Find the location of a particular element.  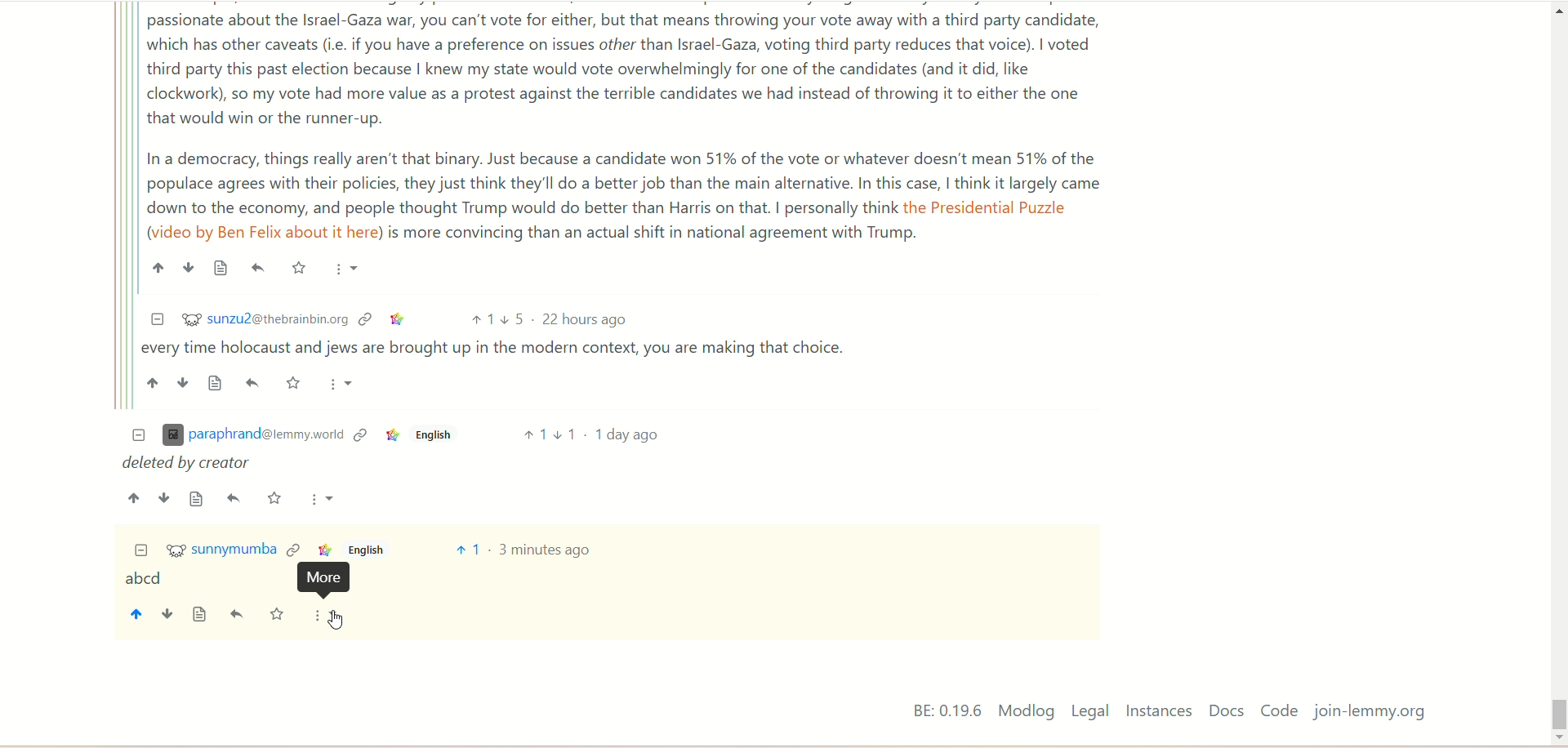

cursor is located at coordinates (336, 621).